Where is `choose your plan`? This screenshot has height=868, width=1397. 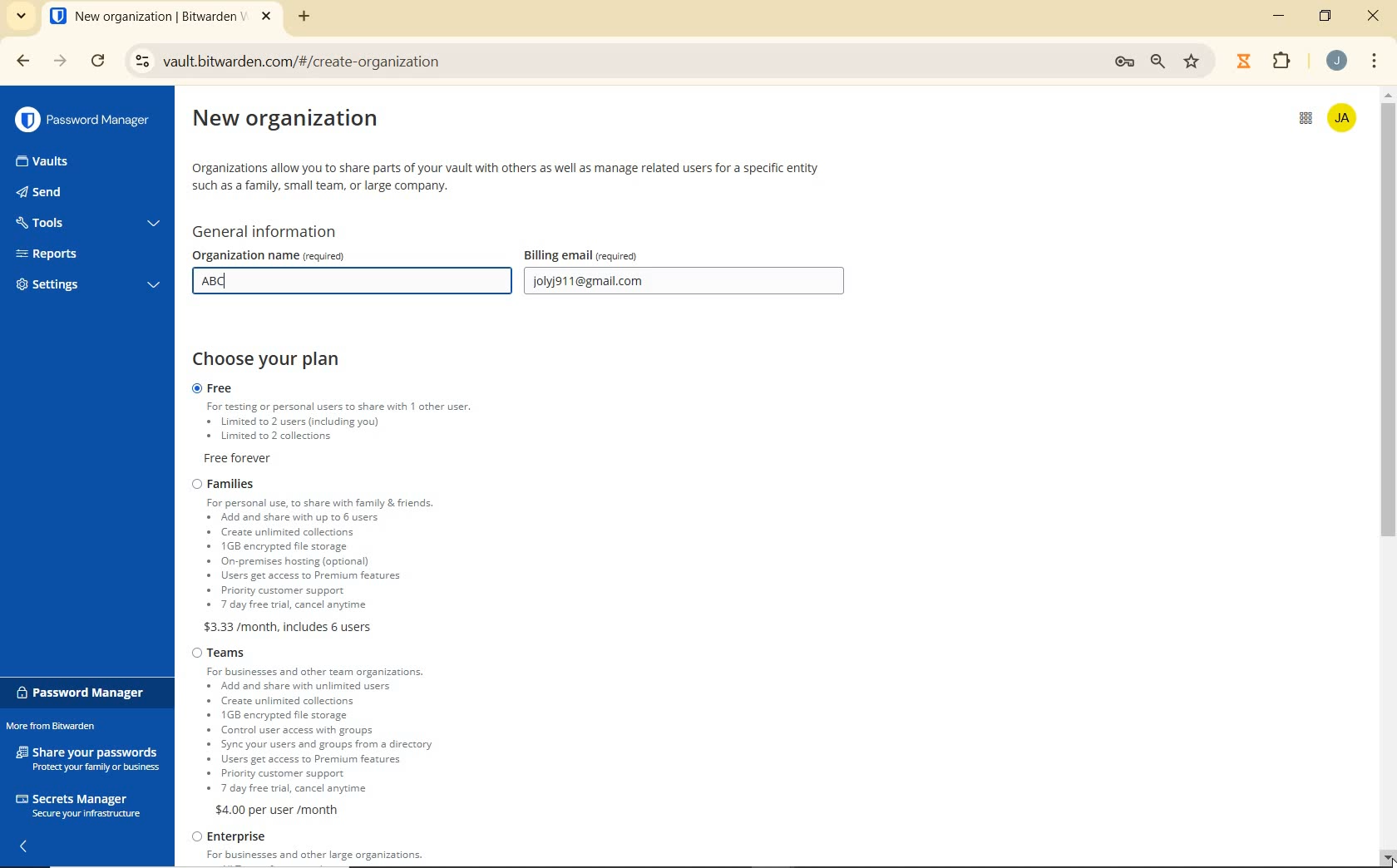 choose your plan is located at coordinates (275, 360).